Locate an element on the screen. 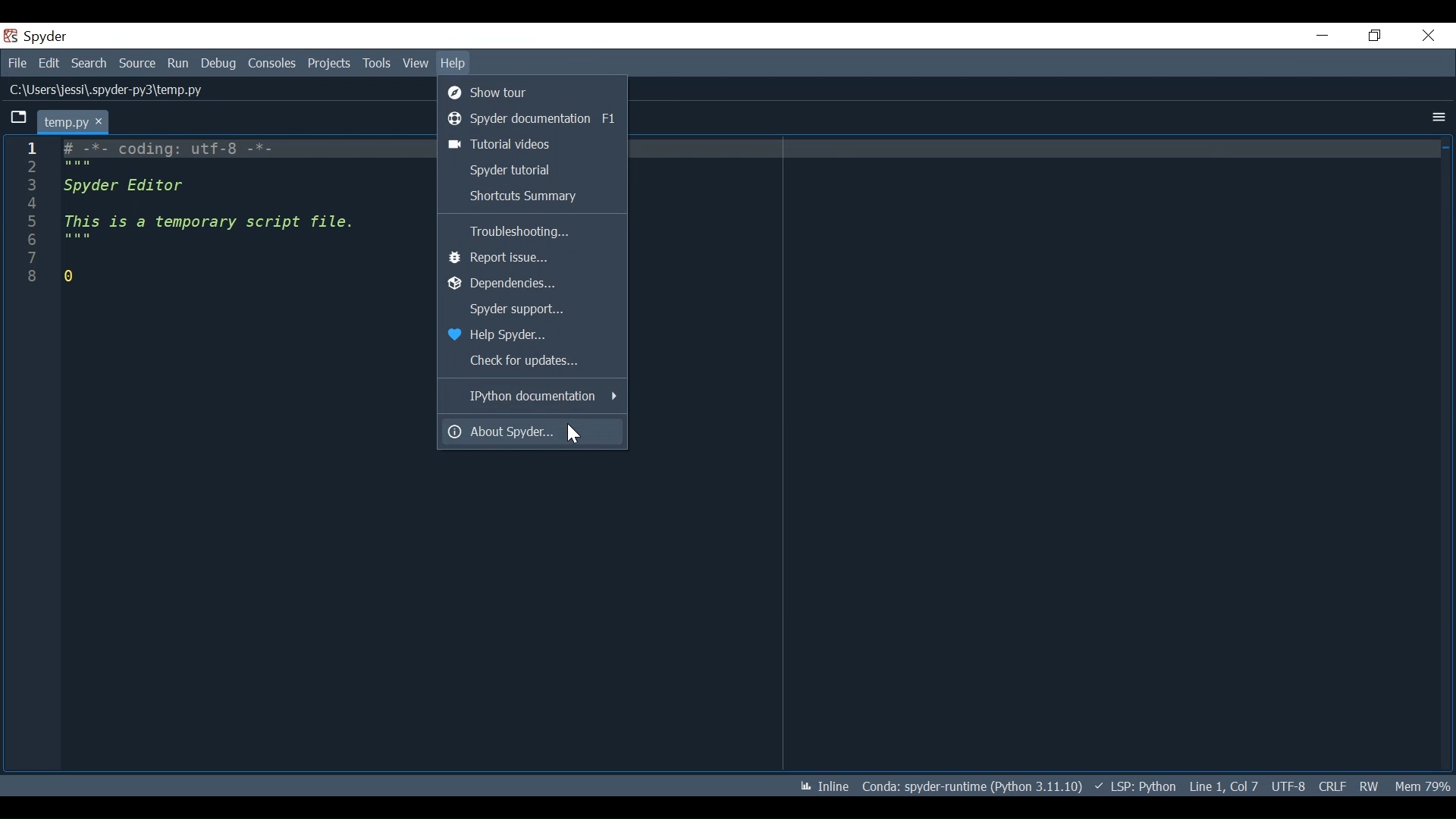 This screenshot has width=1456, height=819. Search is located at coordinates (89, 63).